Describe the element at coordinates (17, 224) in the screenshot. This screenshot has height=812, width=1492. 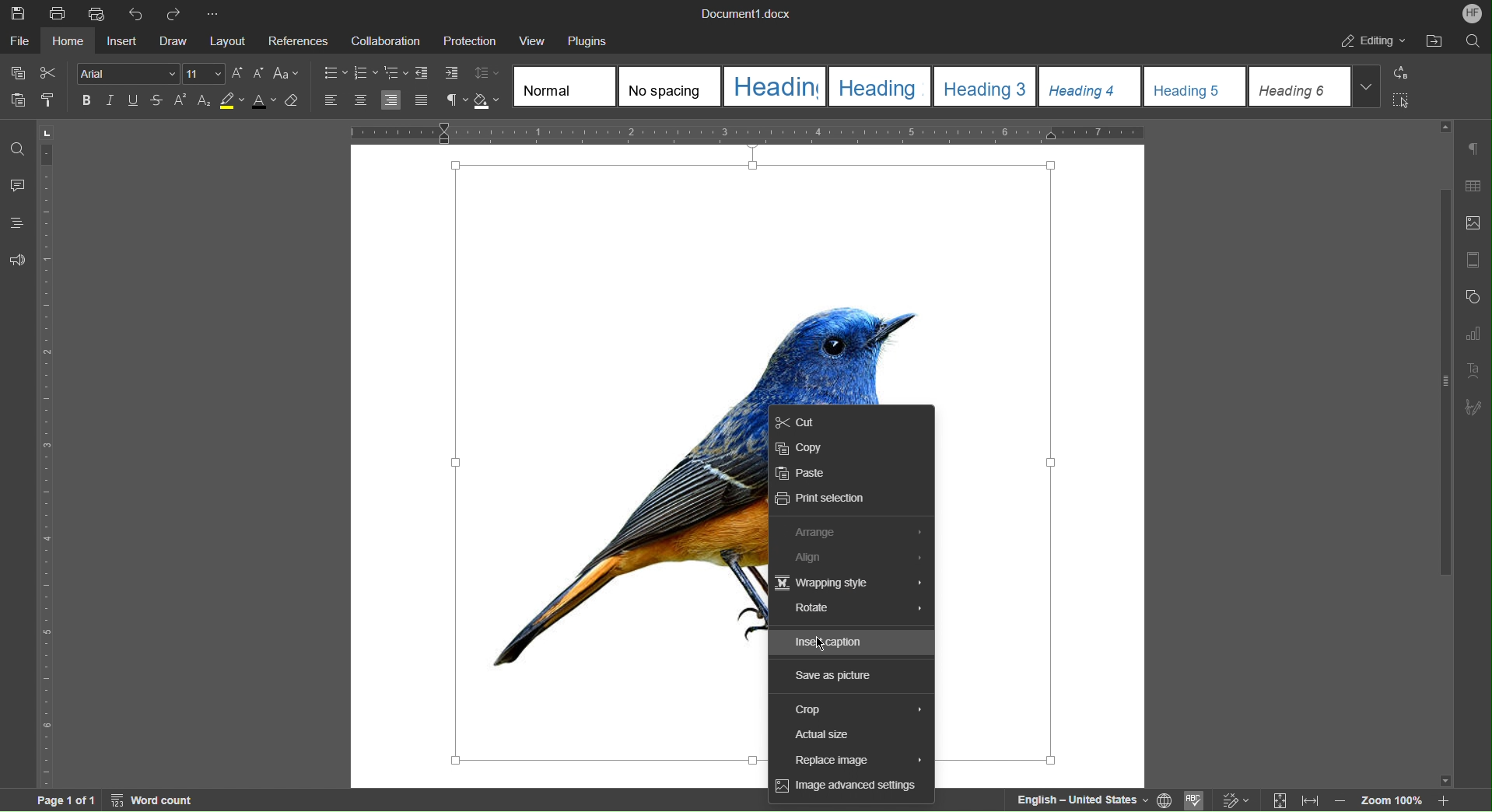
I see `Headings` at that location.